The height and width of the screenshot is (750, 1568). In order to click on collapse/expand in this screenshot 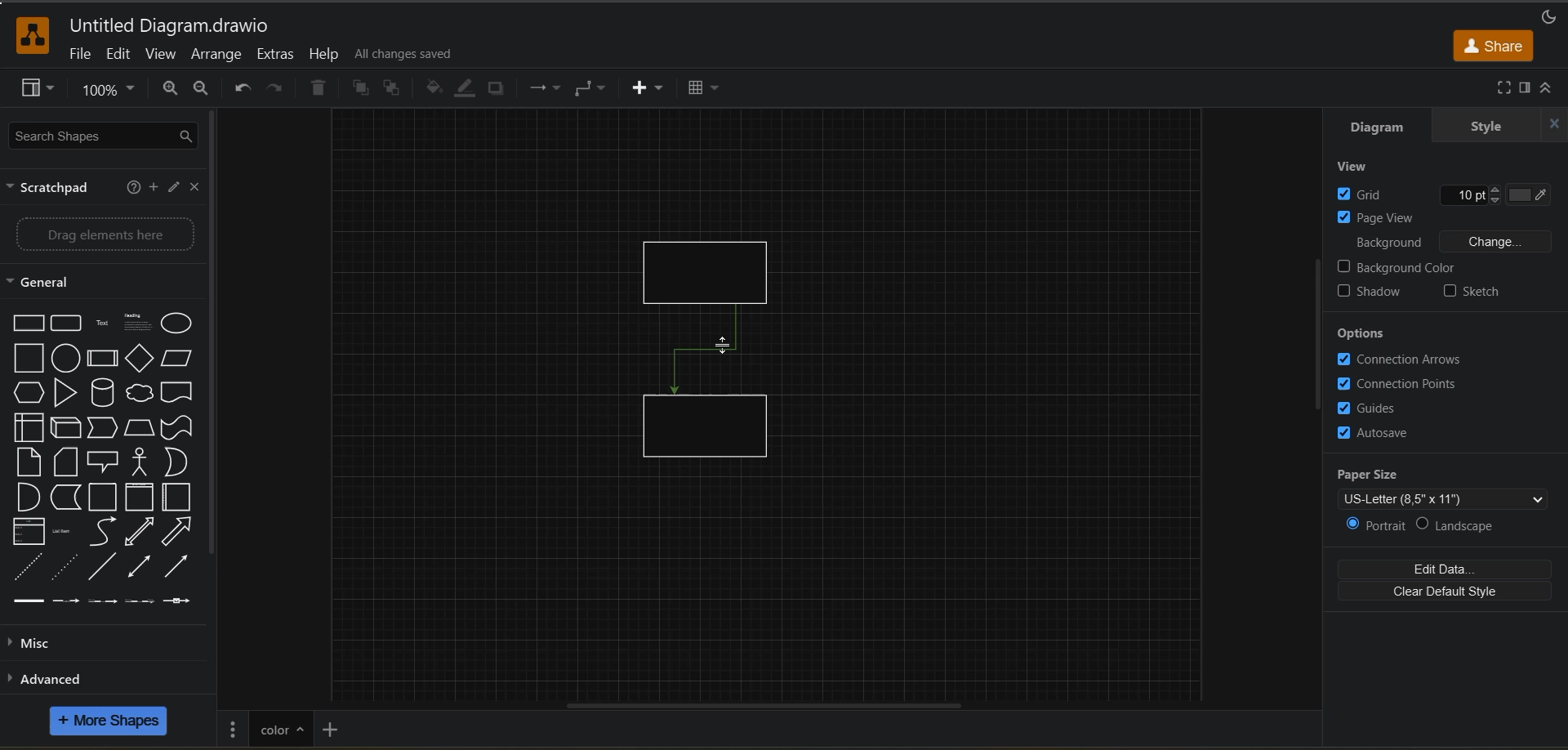, I will do `click(1552, 88)`.